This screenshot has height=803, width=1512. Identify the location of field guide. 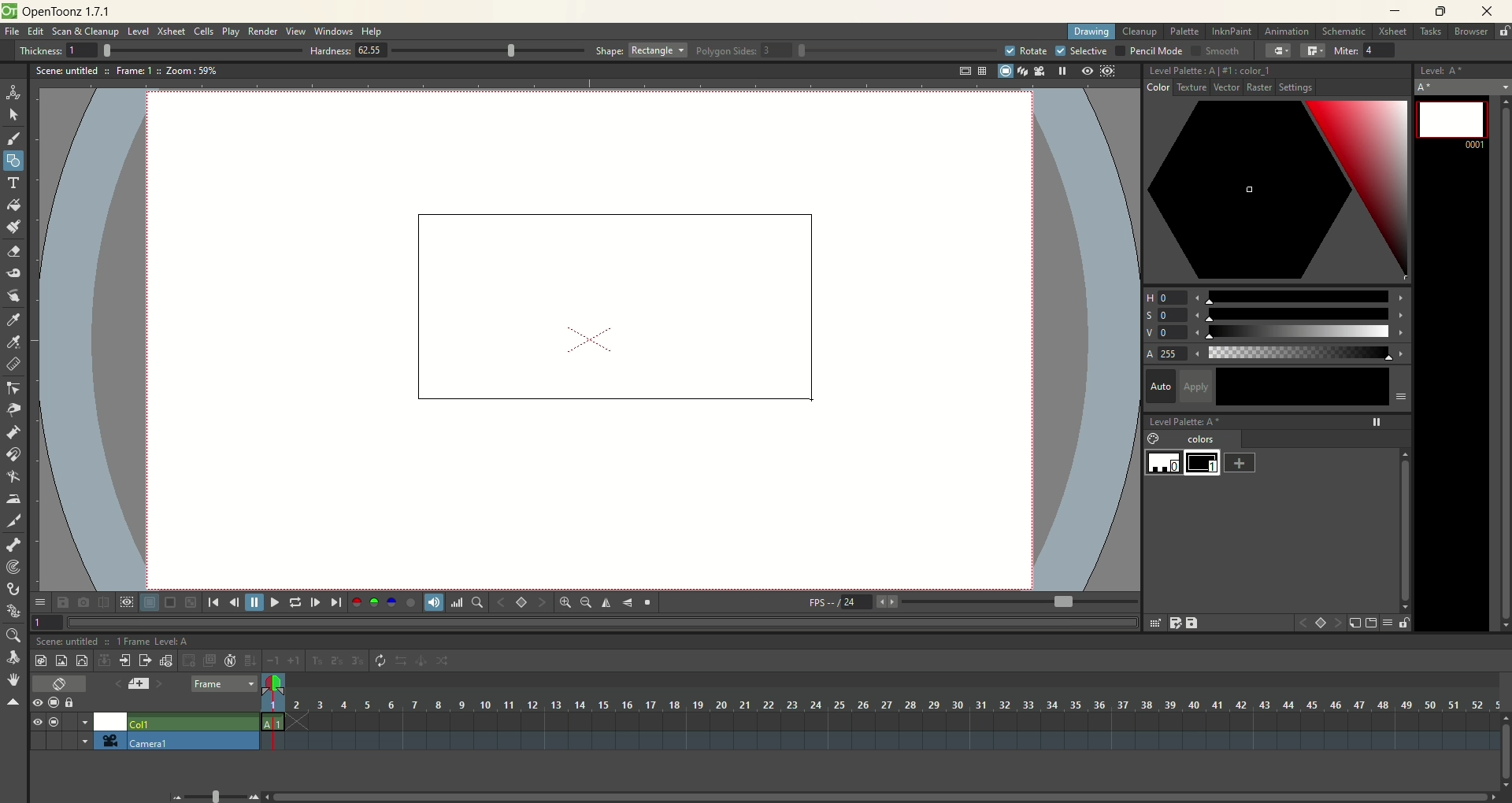
(981, 71).